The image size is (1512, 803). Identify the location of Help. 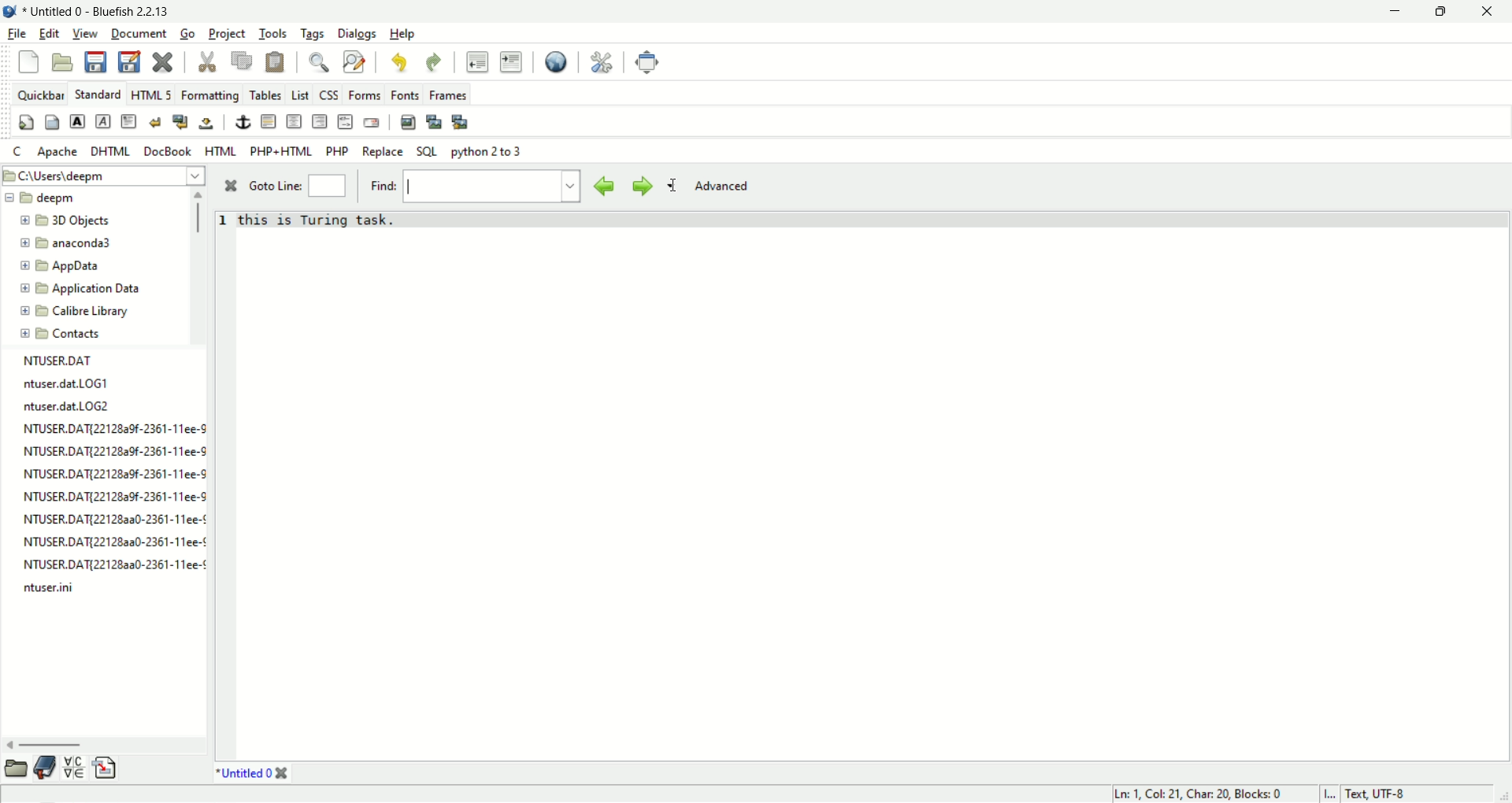
(402, 34).